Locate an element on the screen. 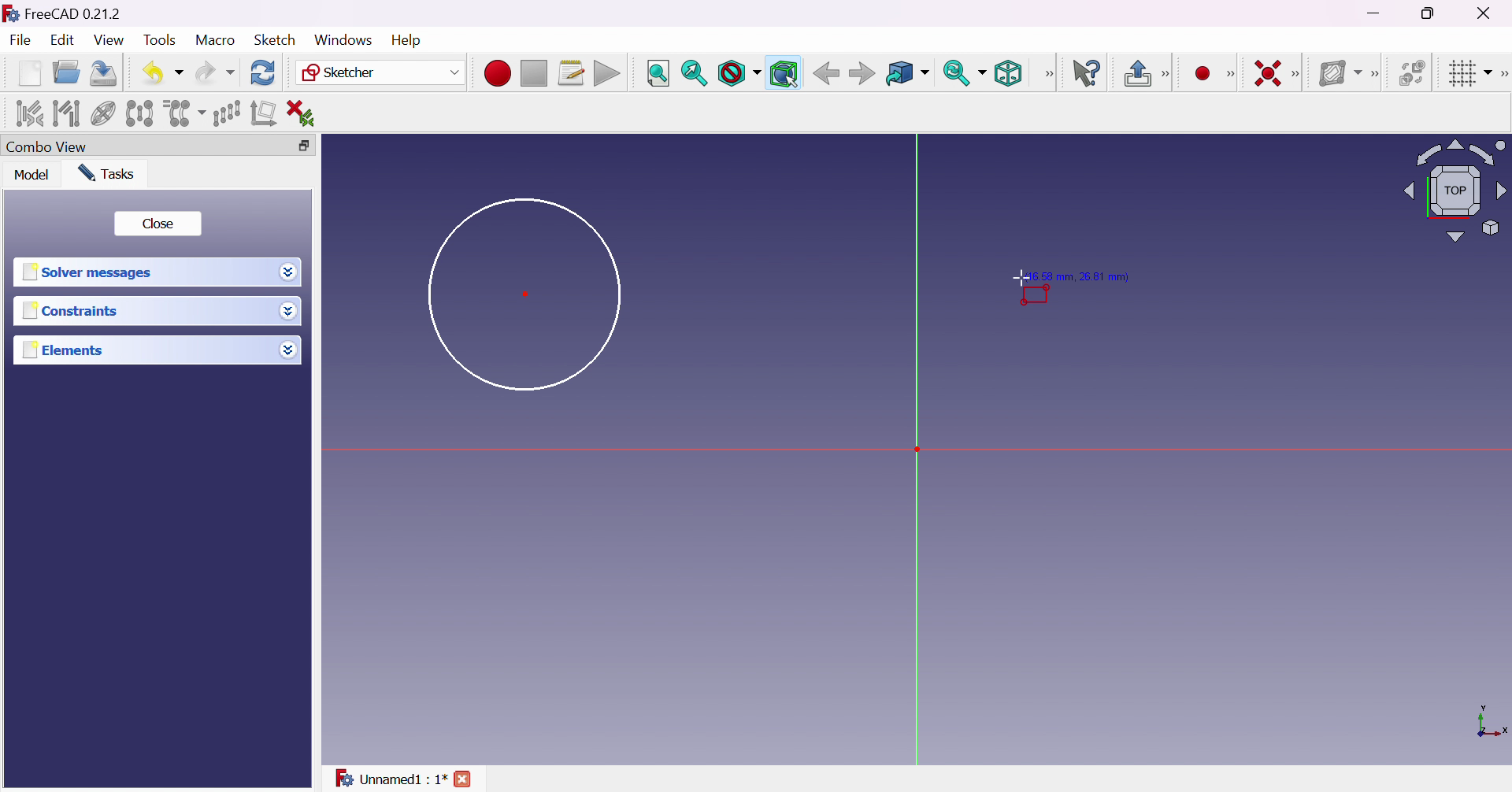  [Sketcher constraints] is located at coordinates (1299, 75).